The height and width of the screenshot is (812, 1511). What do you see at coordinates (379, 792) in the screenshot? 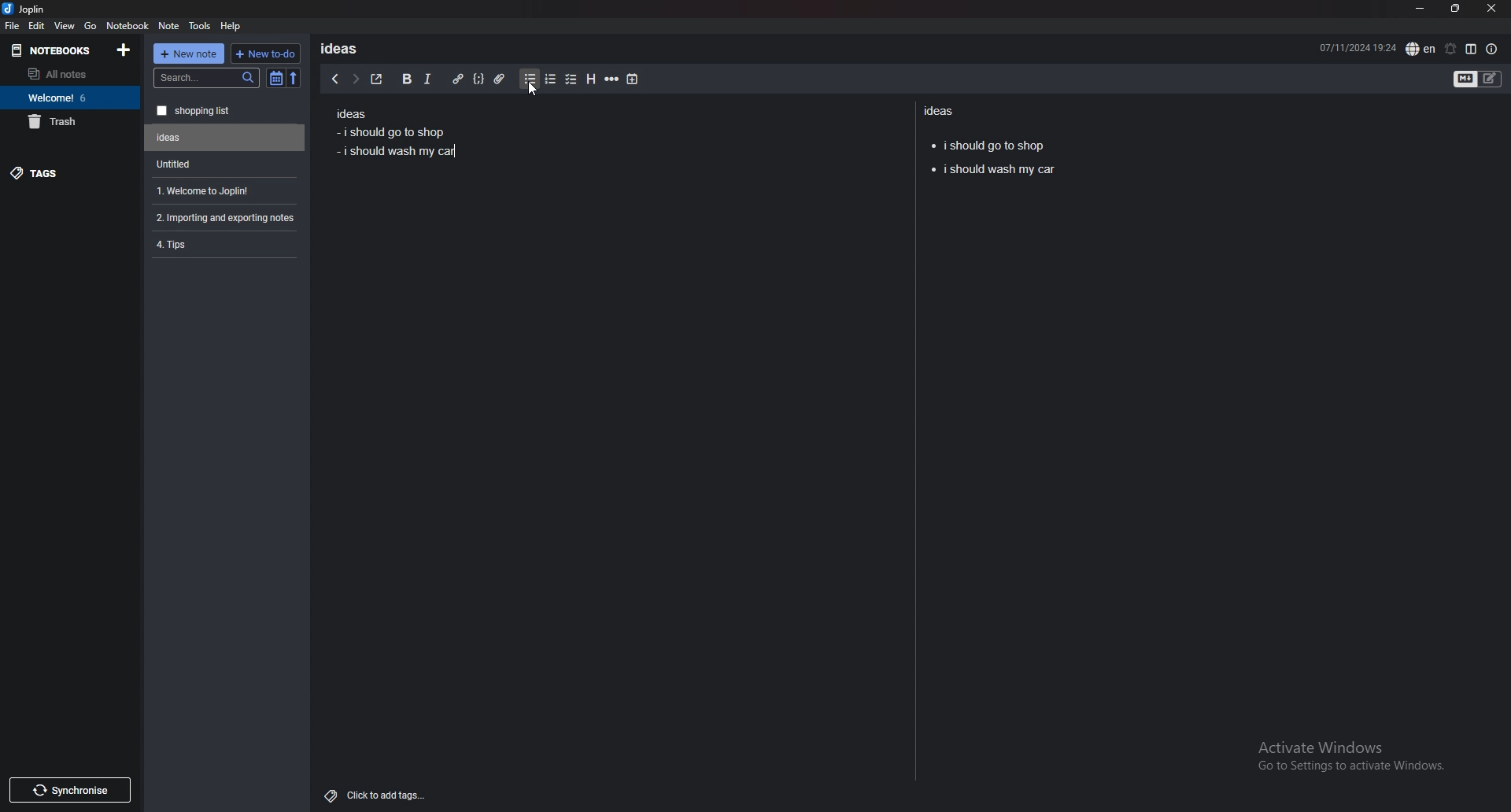
I see `Click to add tags` at bounding box center [379, 792].